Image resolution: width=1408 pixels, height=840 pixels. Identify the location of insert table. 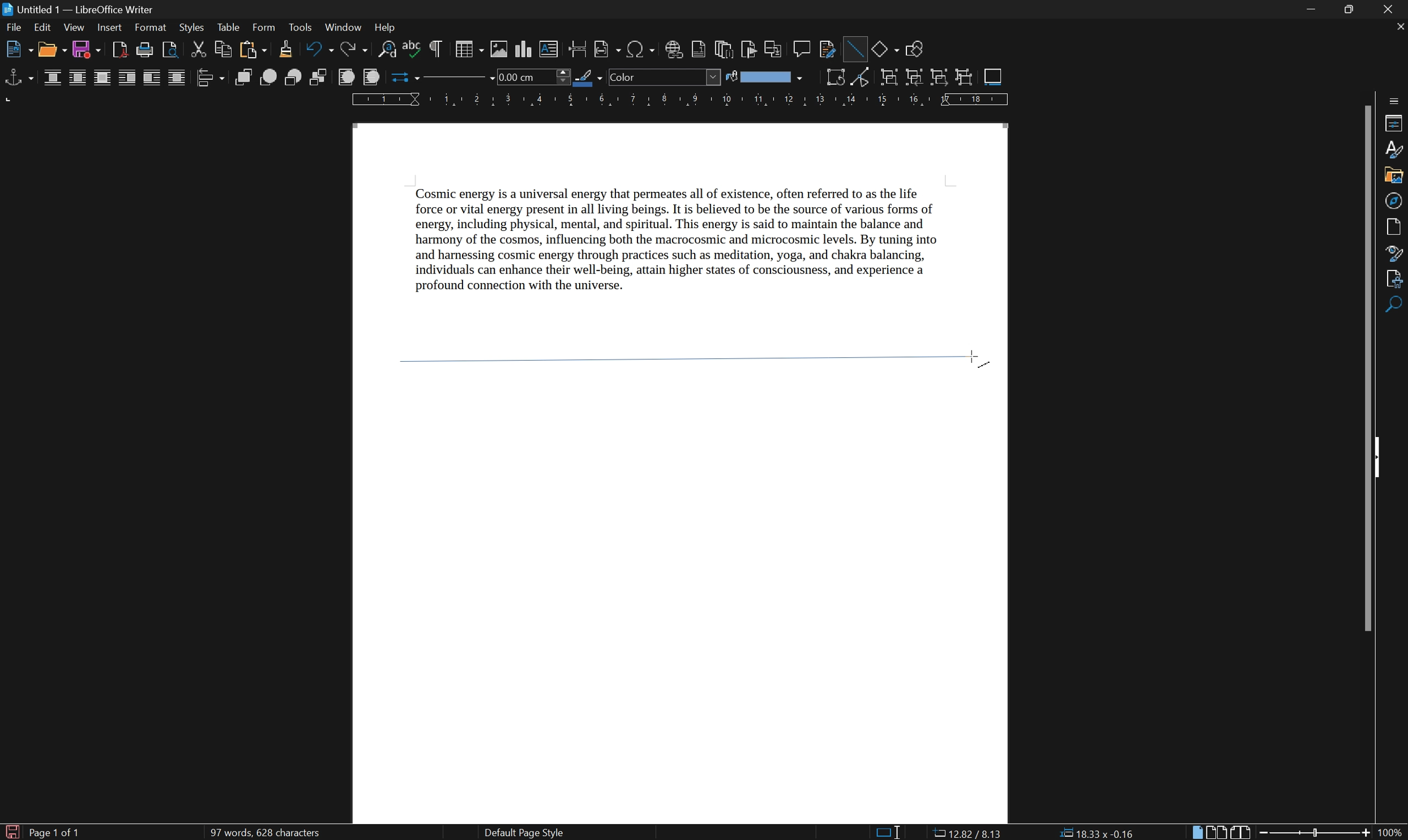
(468, 49).